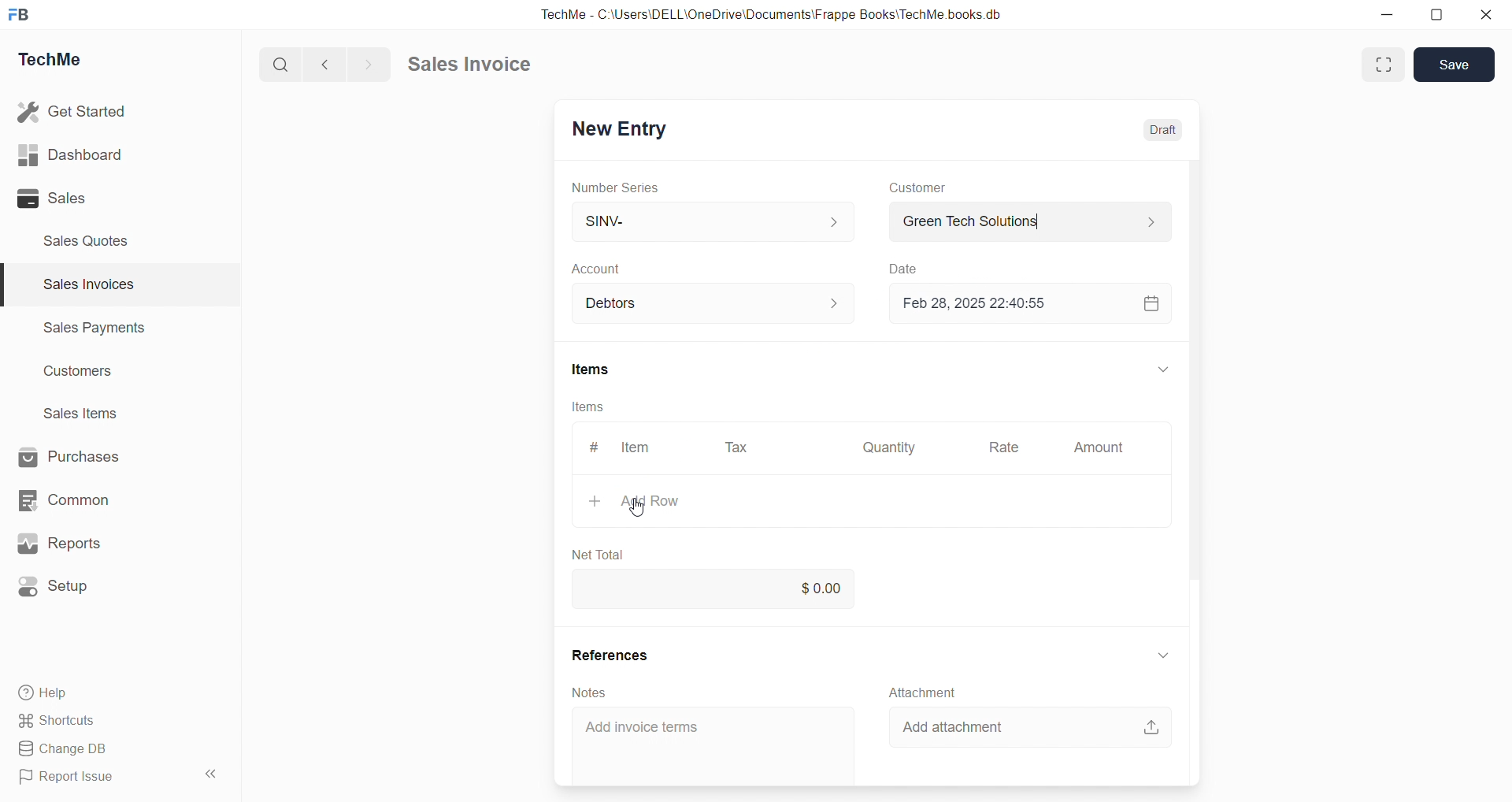 The image size is (1512, 802). I want to click on FB, so click(19, 16).